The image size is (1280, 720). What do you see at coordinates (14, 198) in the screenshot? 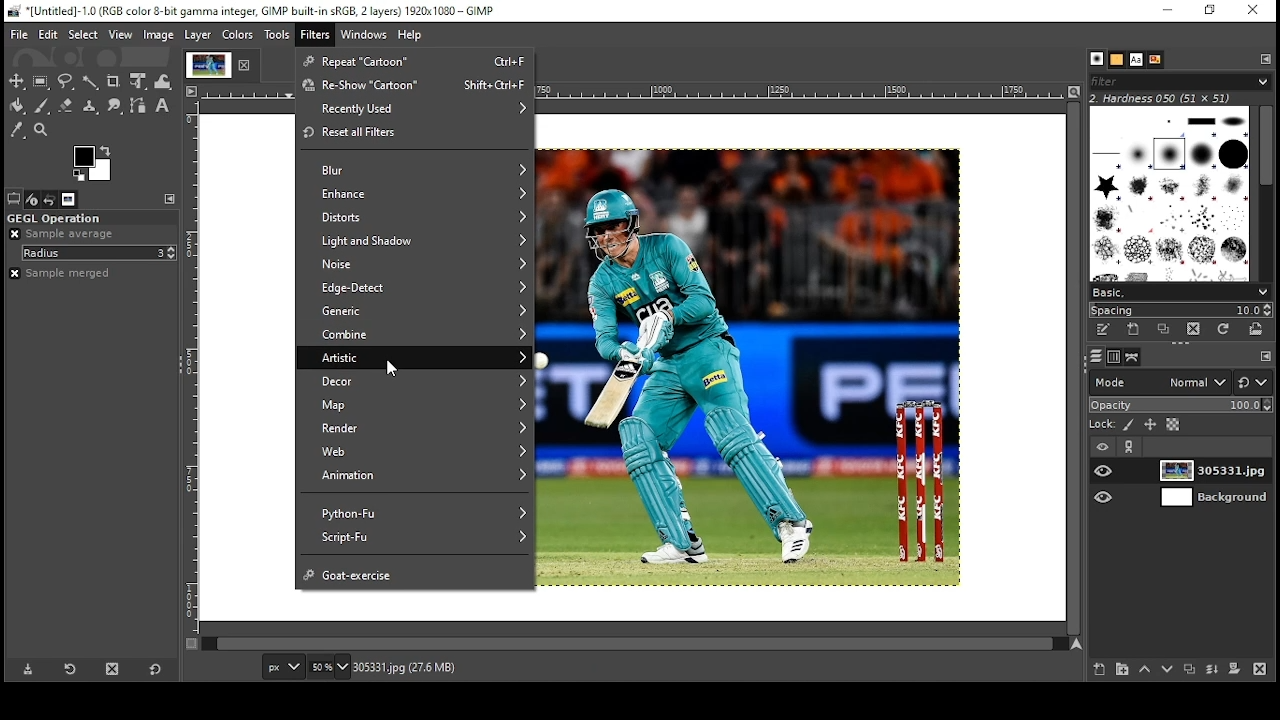
I see `tool options` at bounding box center [14, 198].